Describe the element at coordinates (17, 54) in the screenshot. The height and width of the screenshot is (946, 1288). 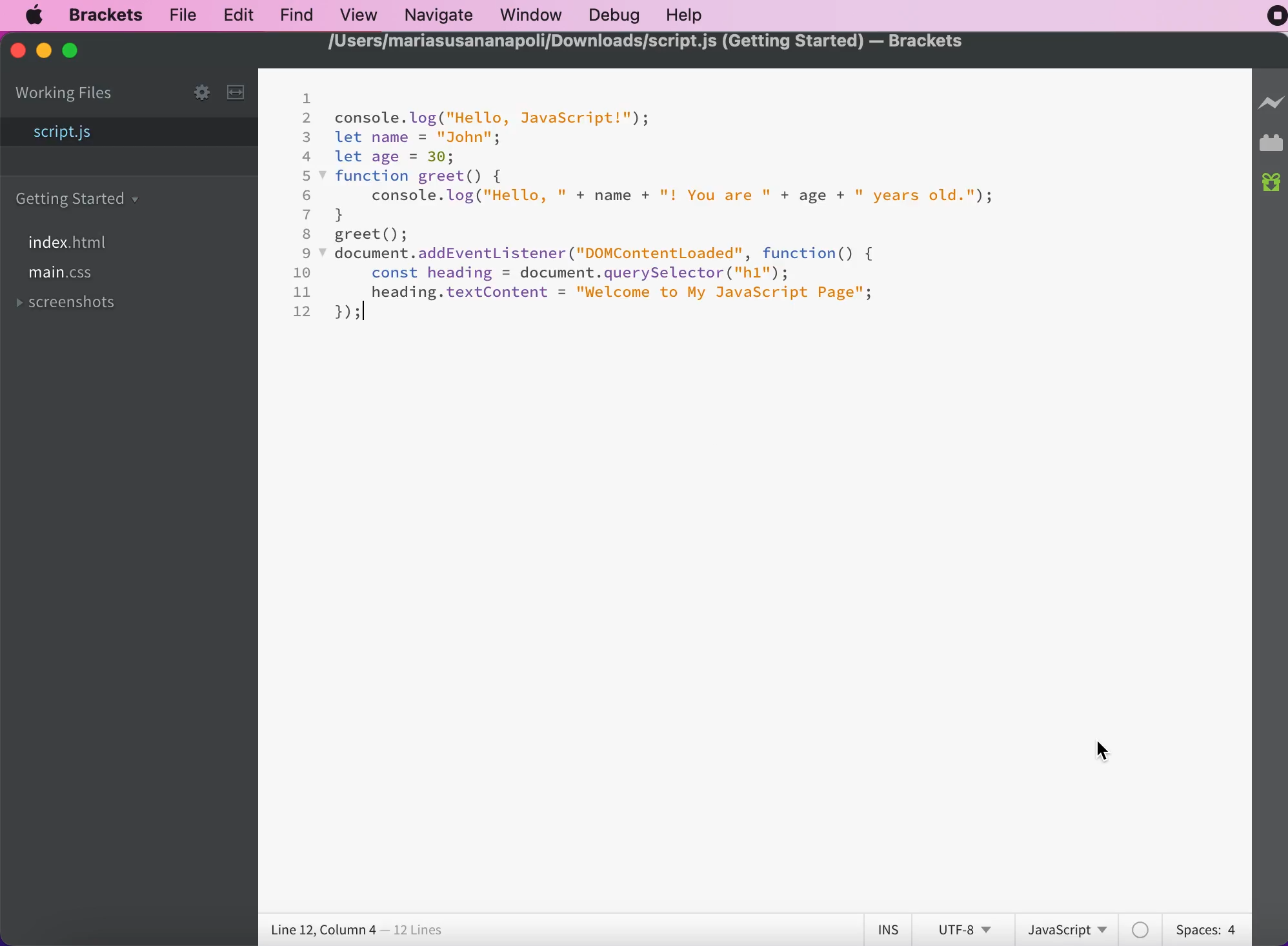
I see `close` at that location.